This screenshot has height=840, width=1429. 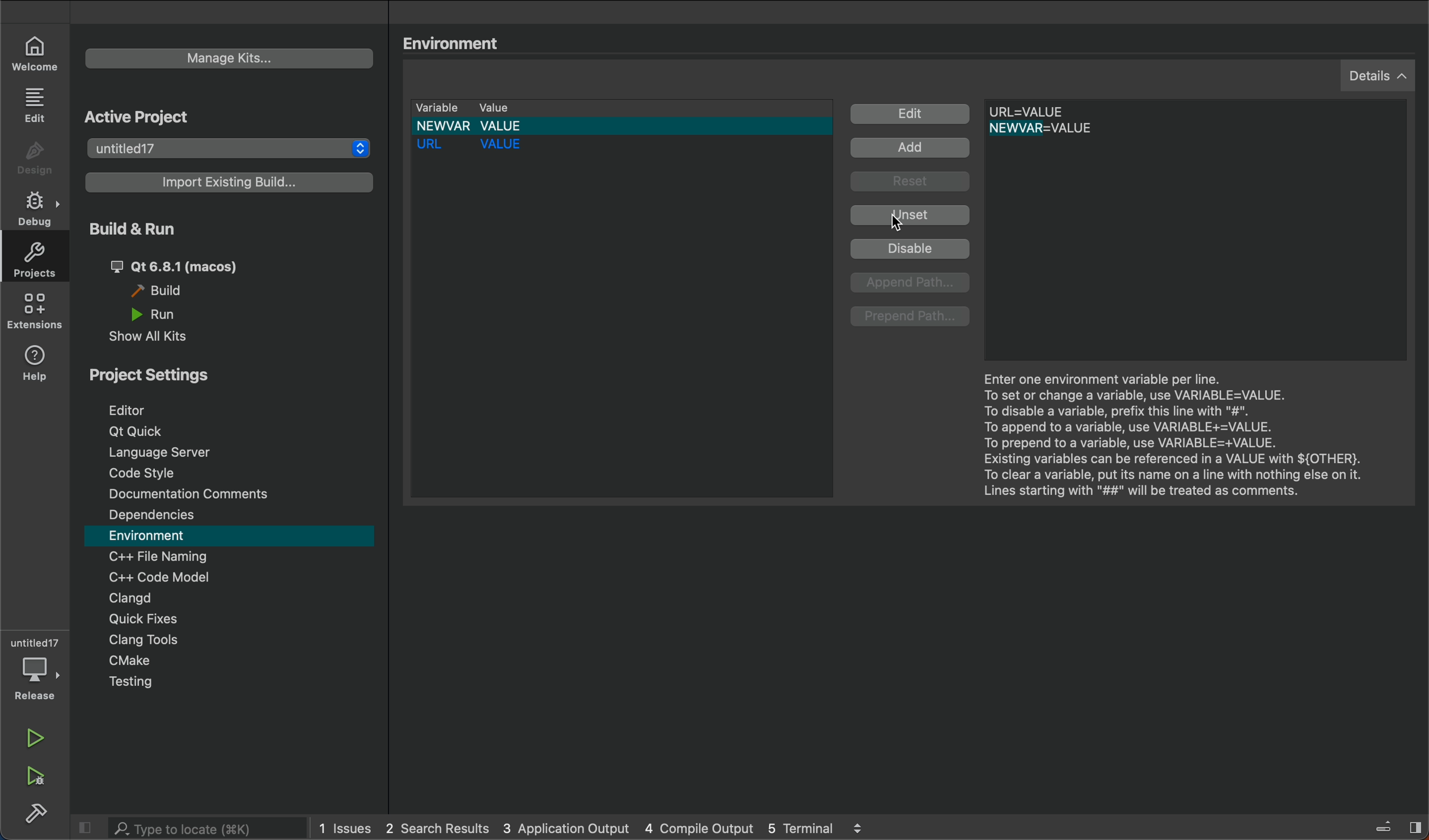 What do you see at coordinates (192, 495) in the screenshot?
I see `comments` at bounding box center [192, 495].